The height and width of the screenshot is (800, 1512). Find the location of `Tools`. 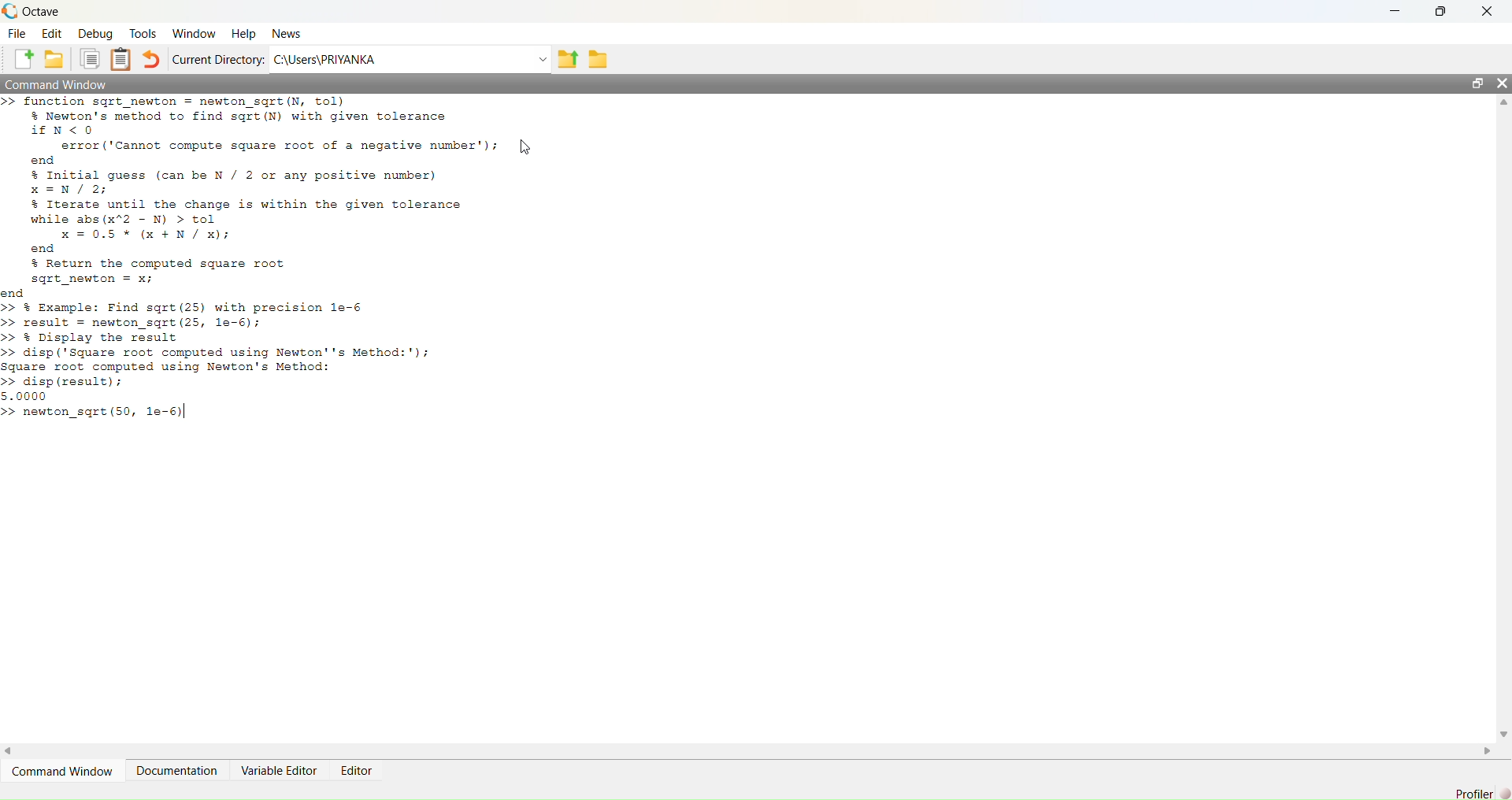

Tools is located at coordinates (143, 34).